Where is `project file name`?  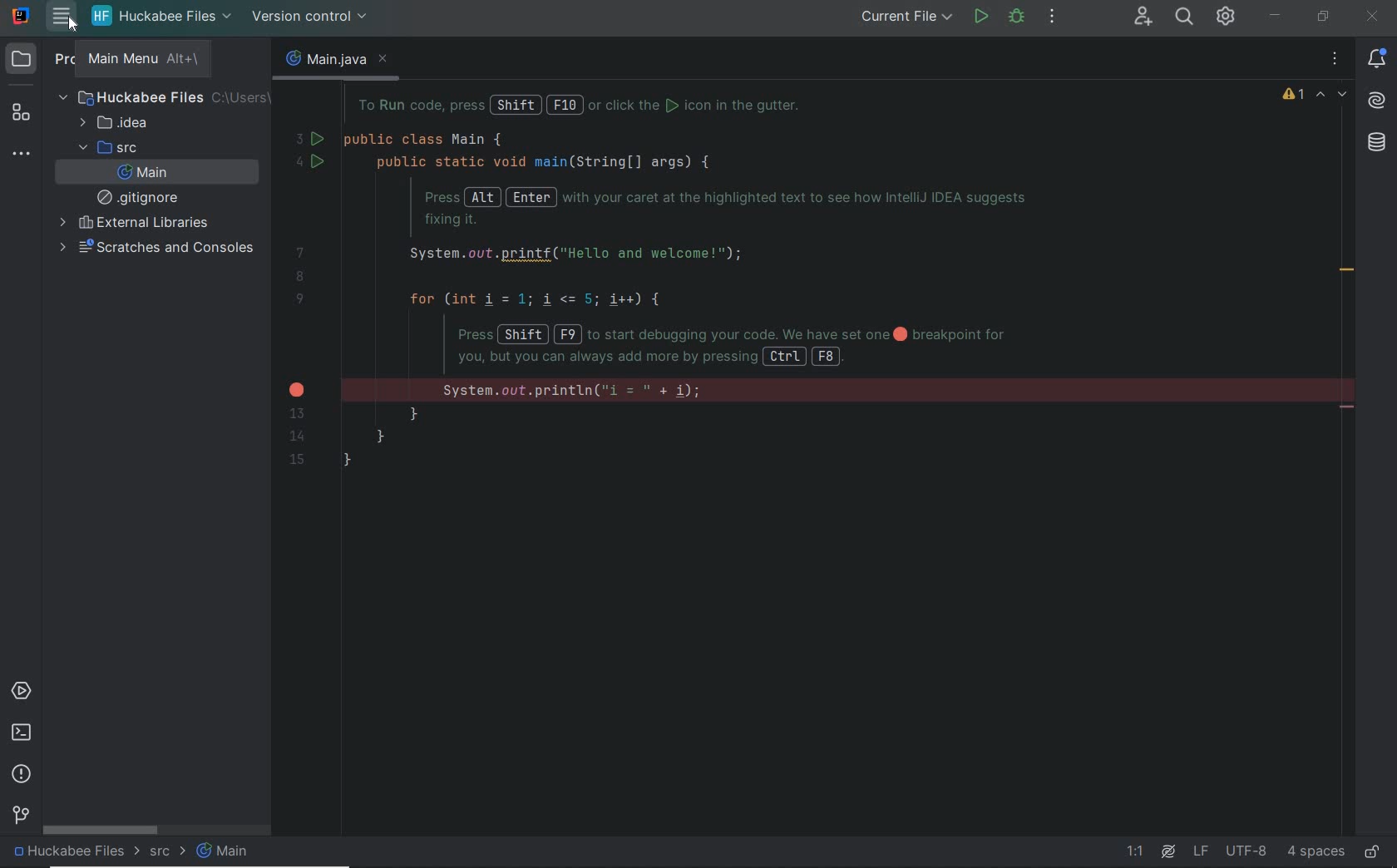
project file name is located at coordinates (72, 853).